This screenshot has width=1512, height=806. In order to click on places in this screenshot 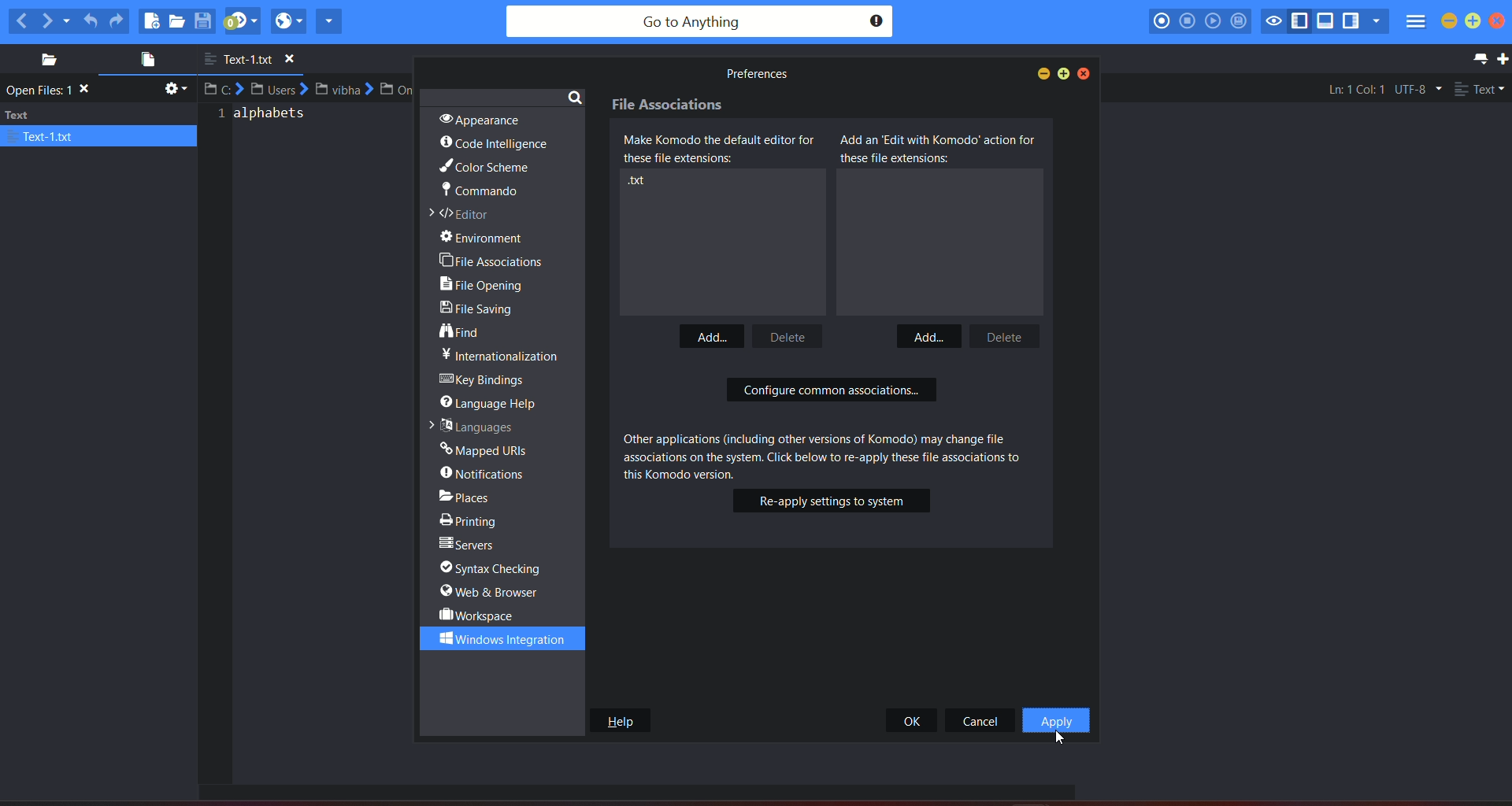, I will do `click(43, 60)`.